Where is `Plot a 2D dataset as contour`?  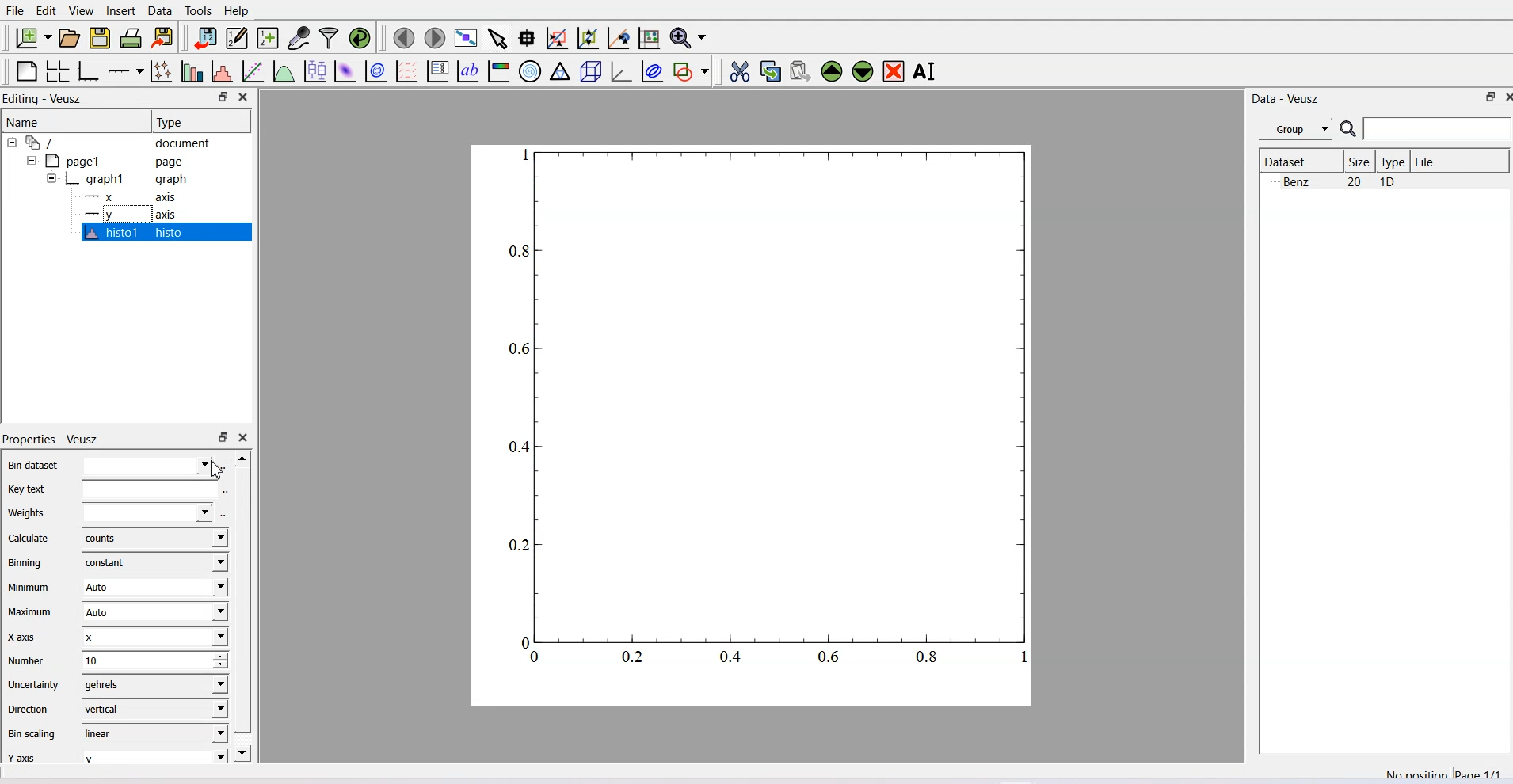 Plot a 2D dataset as contour is located at coordinates (376, 71).